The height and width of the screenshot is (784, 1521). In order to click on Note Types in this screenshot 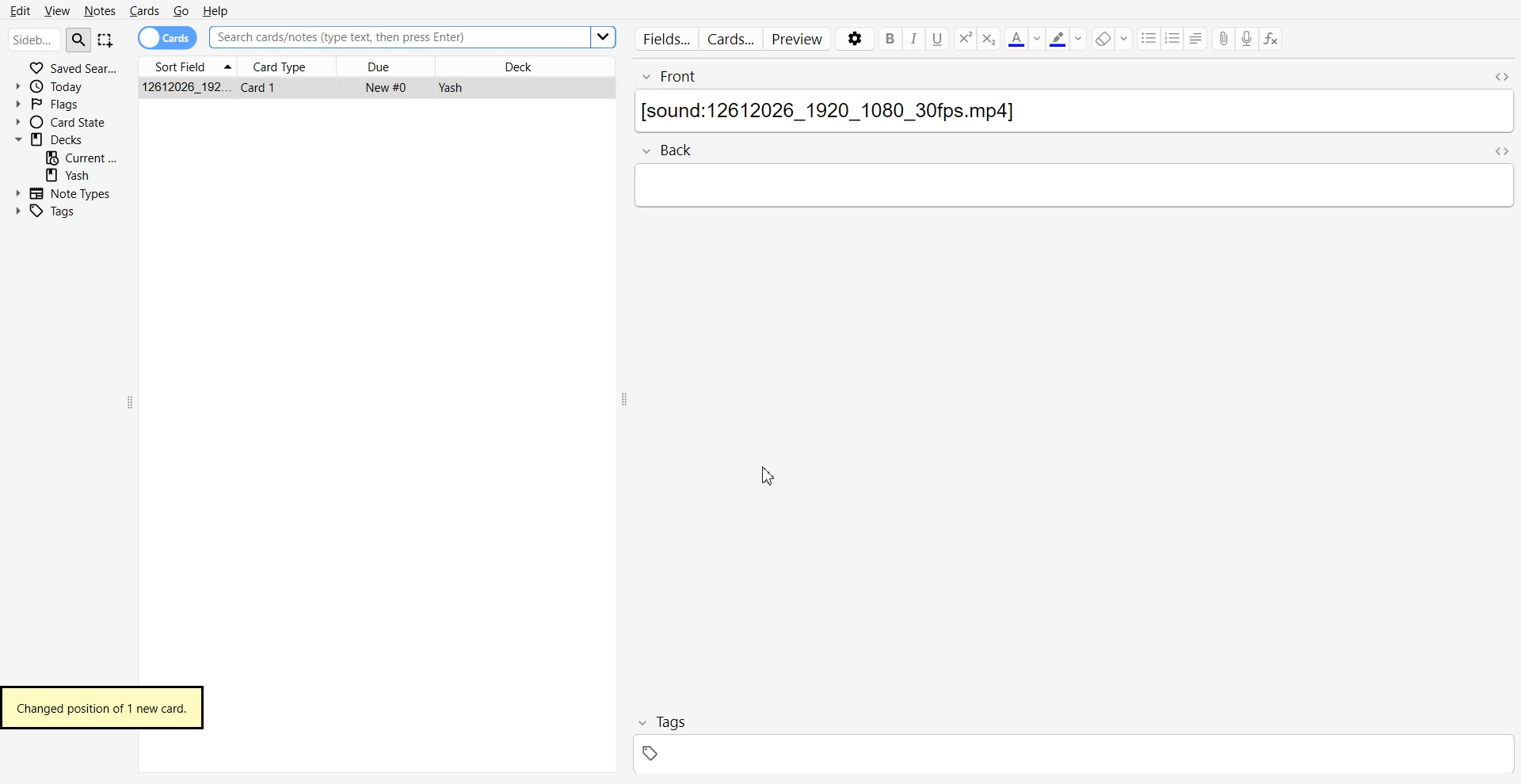, I will do `click(63, 192)`.